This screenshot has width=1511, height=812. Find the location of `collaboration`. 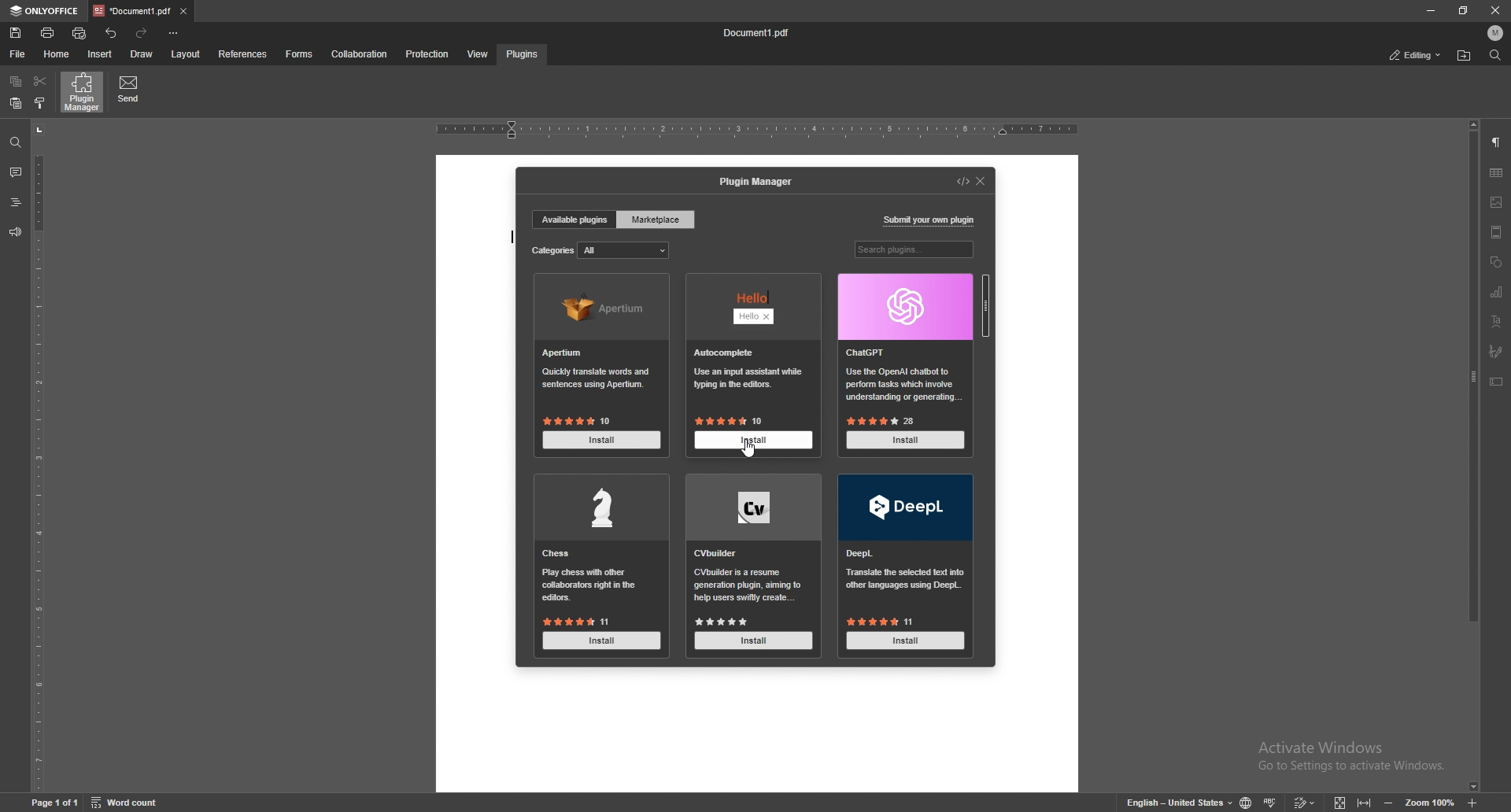

collaboration is located at coordinates (360, 54).